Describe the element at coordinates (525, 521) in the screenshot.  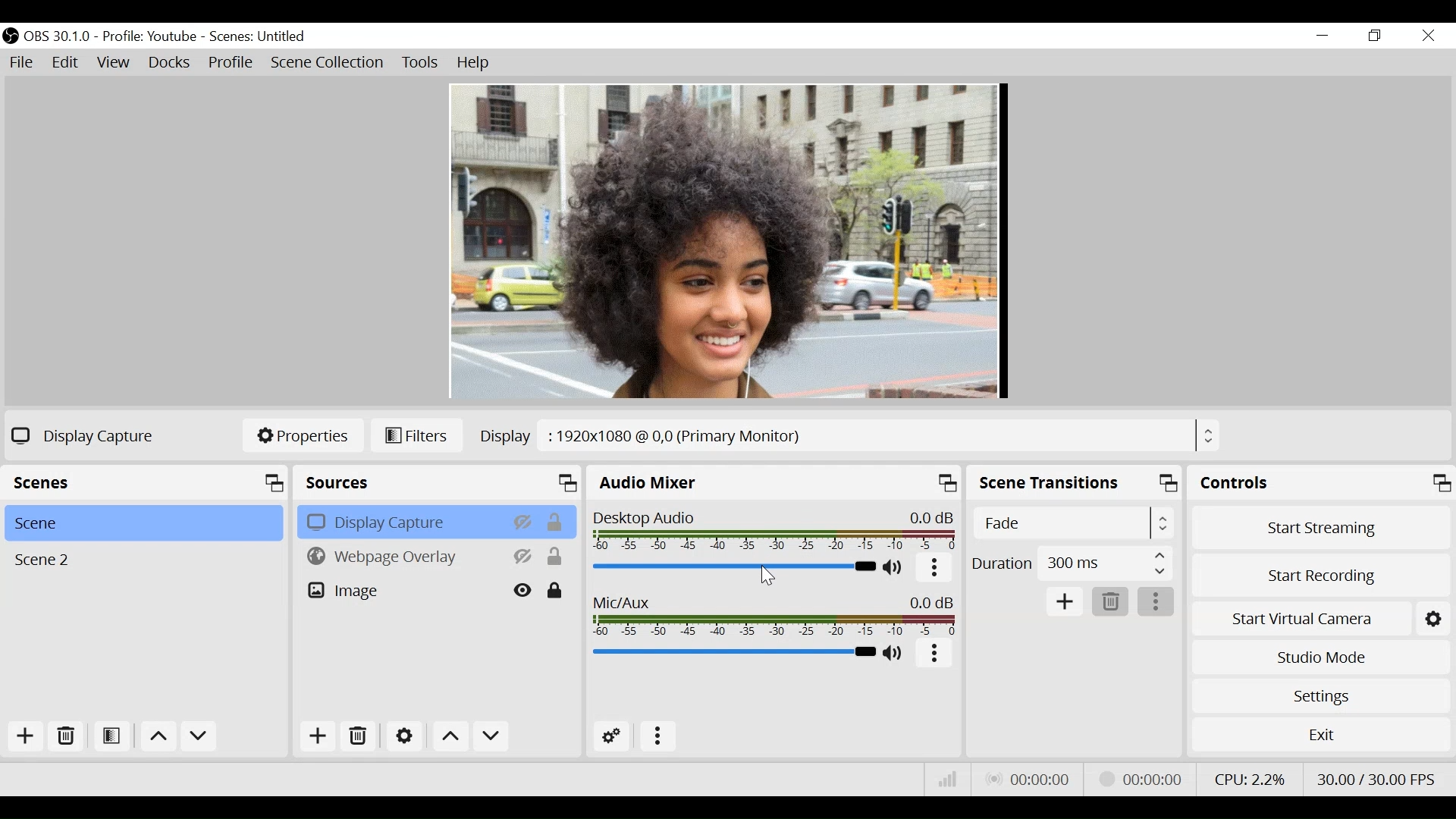
I see `hide/display` at that location.